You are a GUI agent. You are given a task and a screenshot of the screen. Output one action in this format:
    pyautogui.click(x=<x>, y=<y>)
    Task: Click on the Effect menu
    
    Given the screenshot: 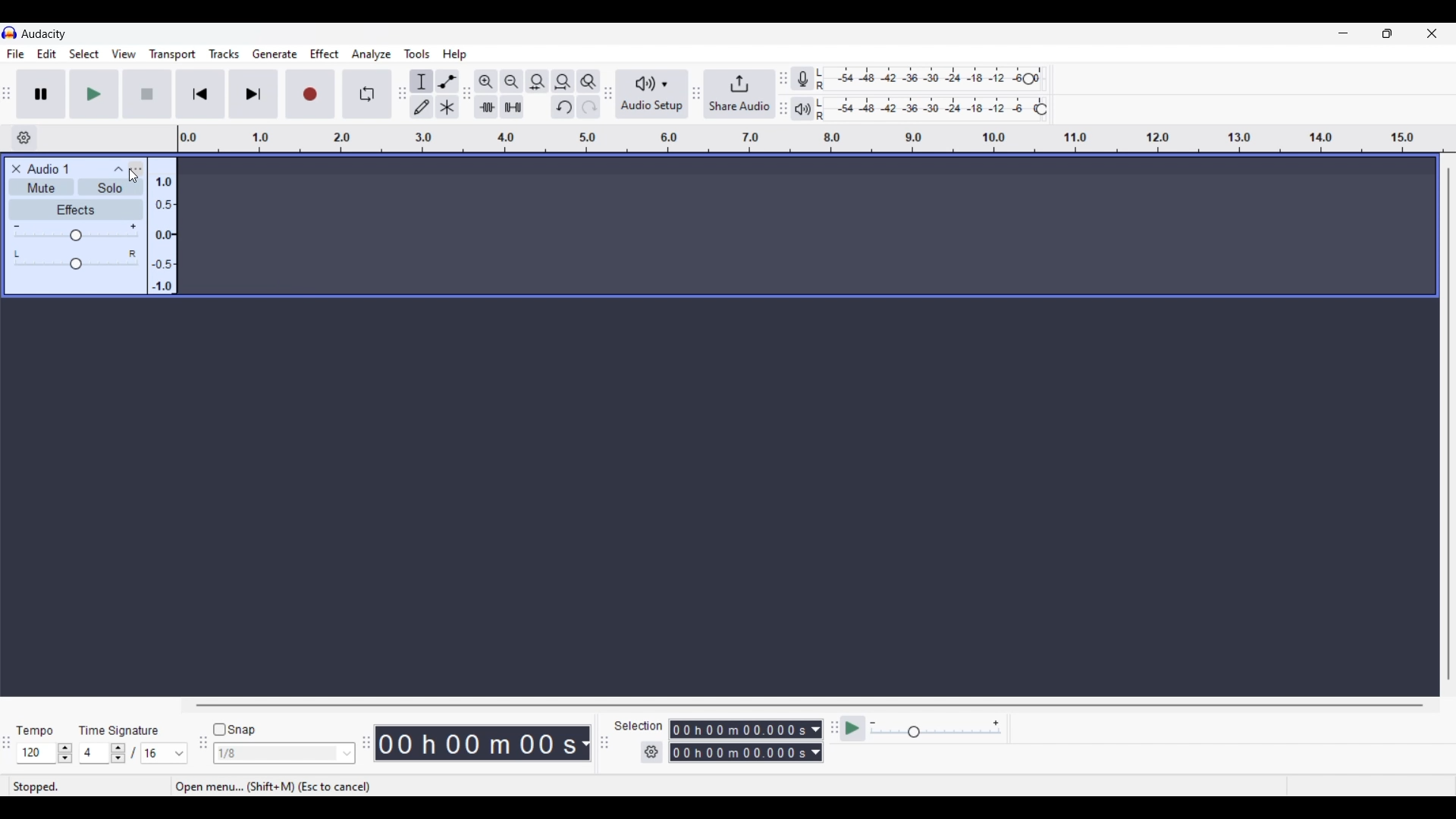 What is the action you would take?
    pyautogui.click(x=325, y=54)
    